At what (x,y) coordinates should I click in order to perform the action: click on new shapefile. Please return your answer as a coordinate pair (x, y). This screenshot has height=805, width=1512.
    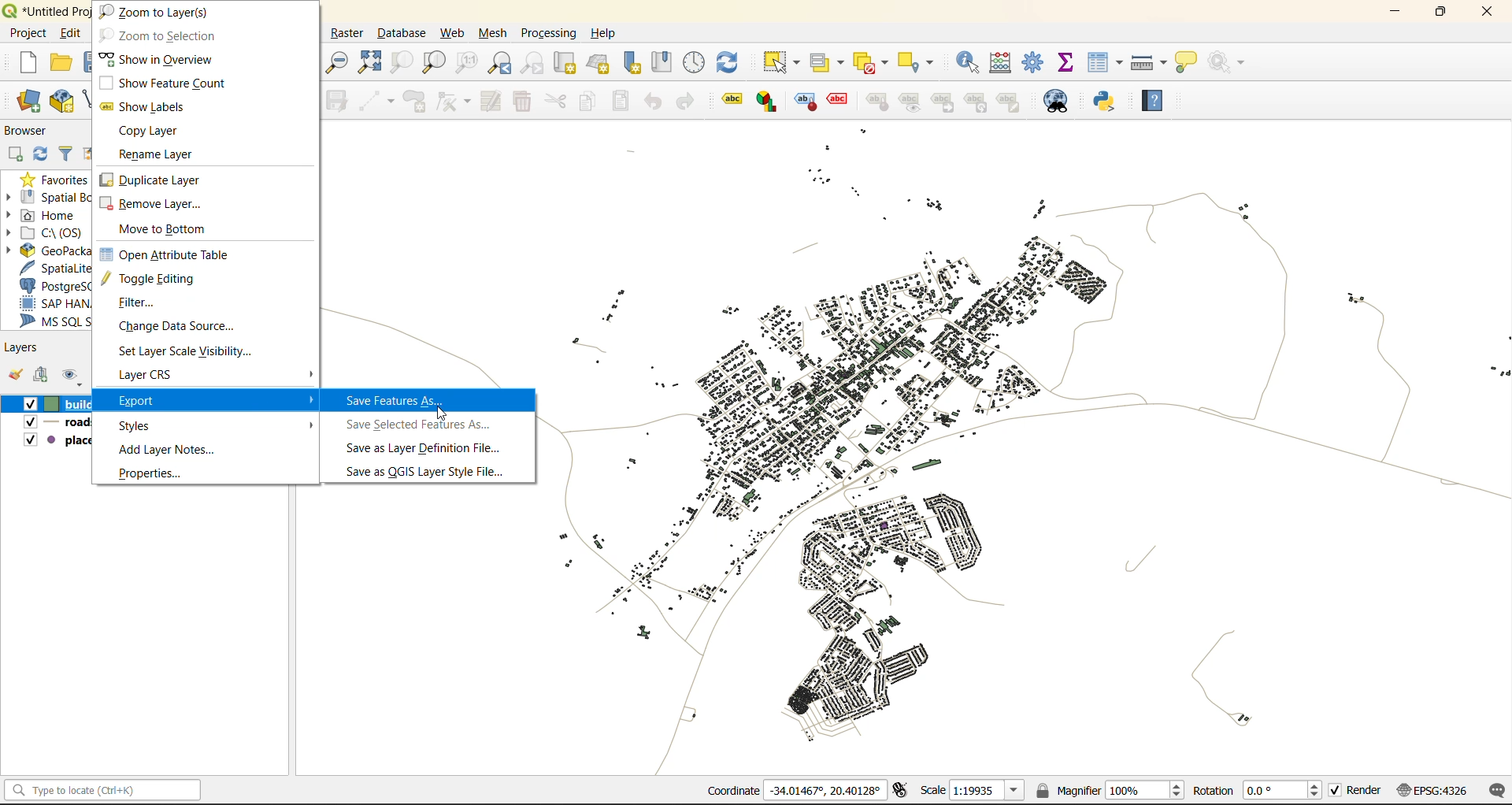
    Looking at the image, I should click on (86, 100).